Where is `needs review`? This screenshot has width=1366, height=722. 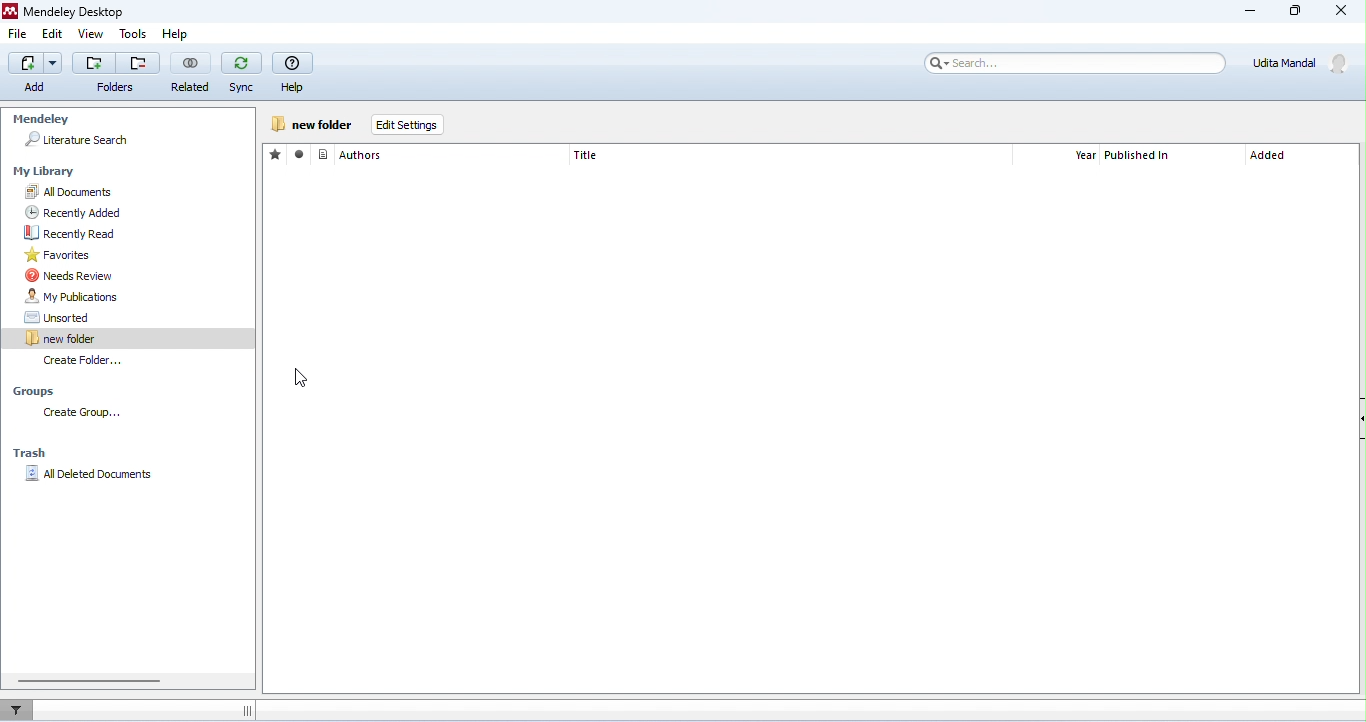 needs review is located at coordinates (138, 275).